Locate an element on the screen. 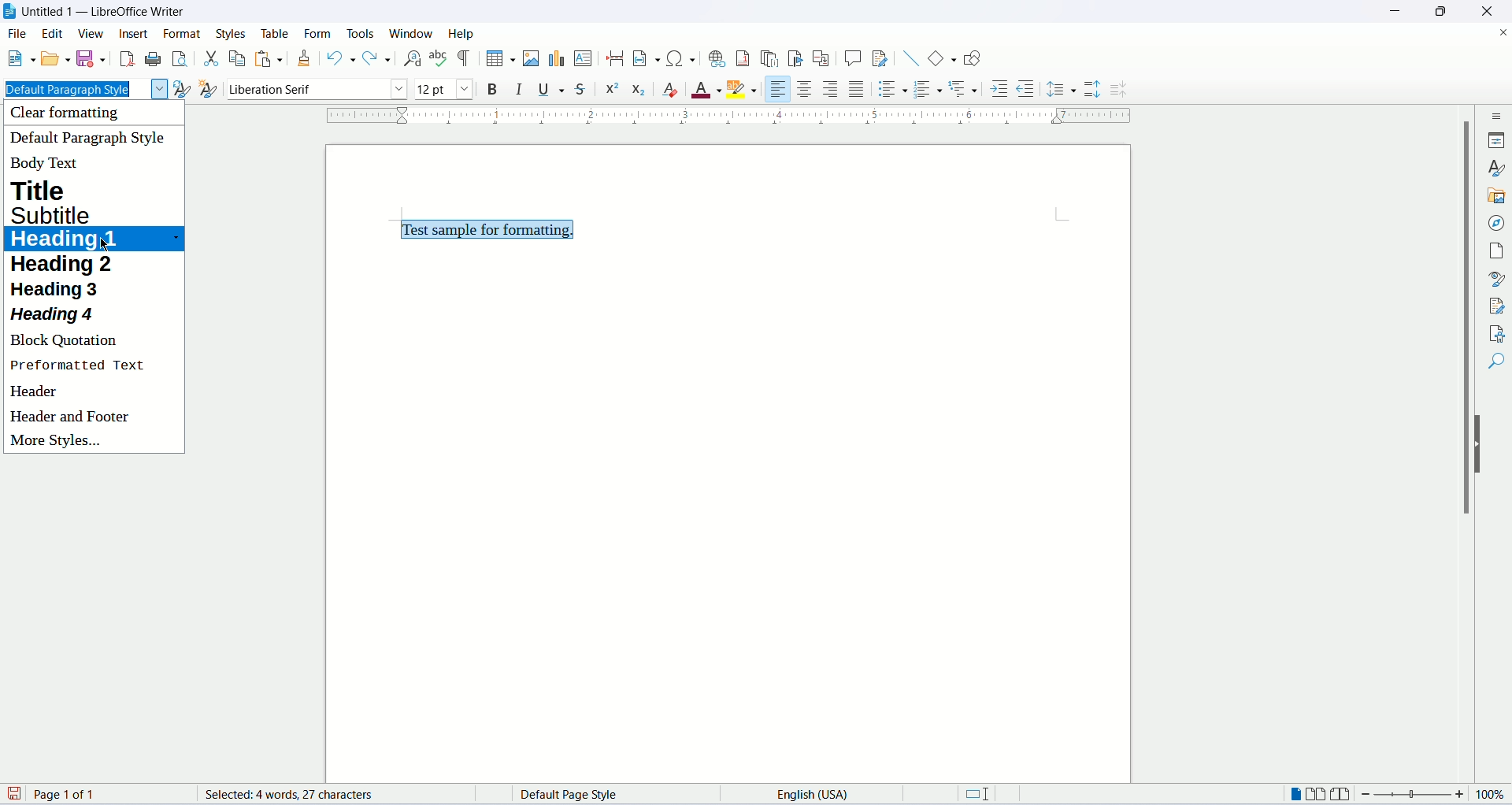  increase paragraph spacing is located at coordinates (1093, 91).